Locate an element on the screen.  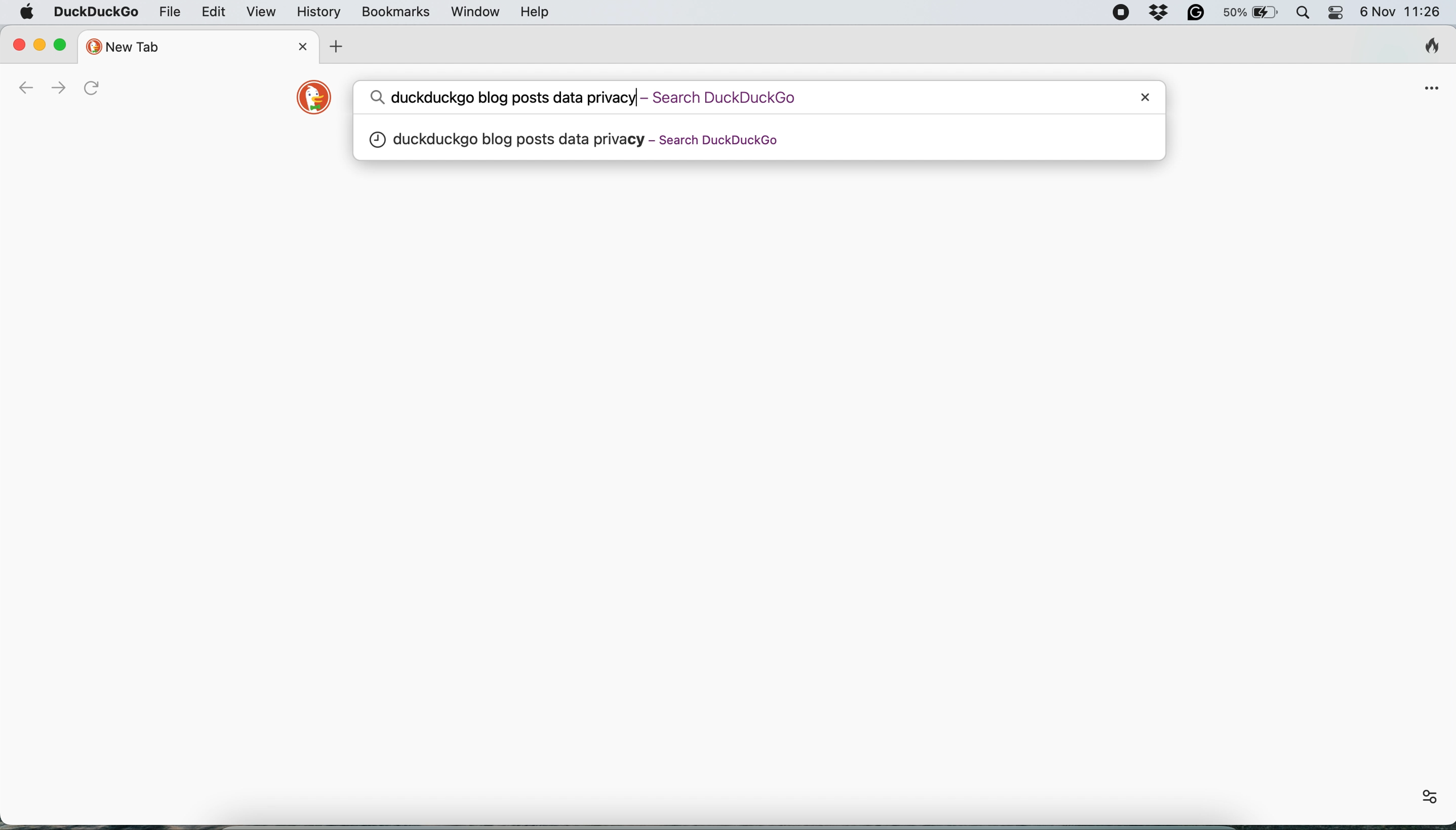
close is located at coordinates (294, 43).